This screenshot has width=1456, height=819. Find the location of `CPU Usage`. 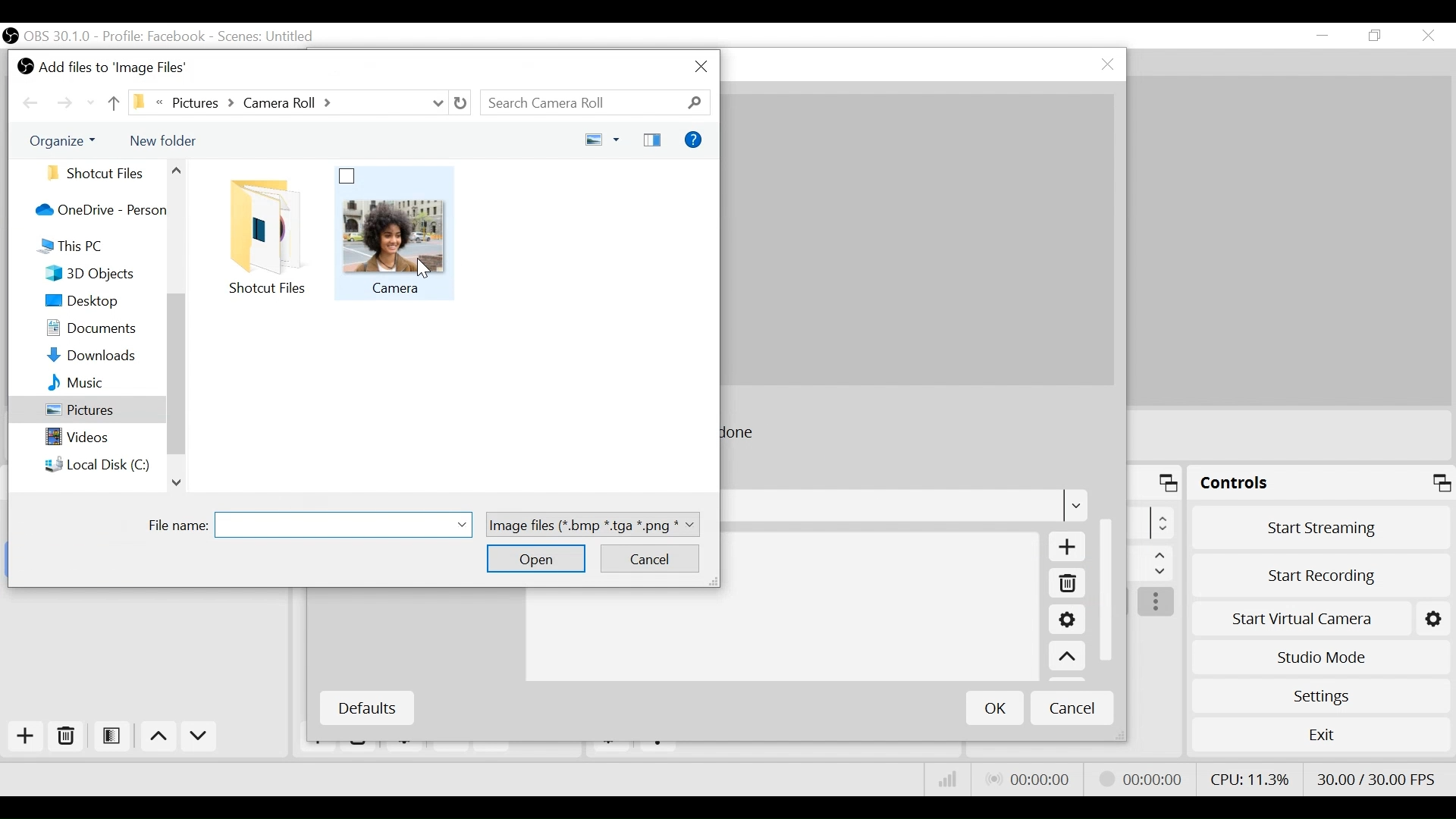

CPU Usage is located at coordinates (1247, 777).